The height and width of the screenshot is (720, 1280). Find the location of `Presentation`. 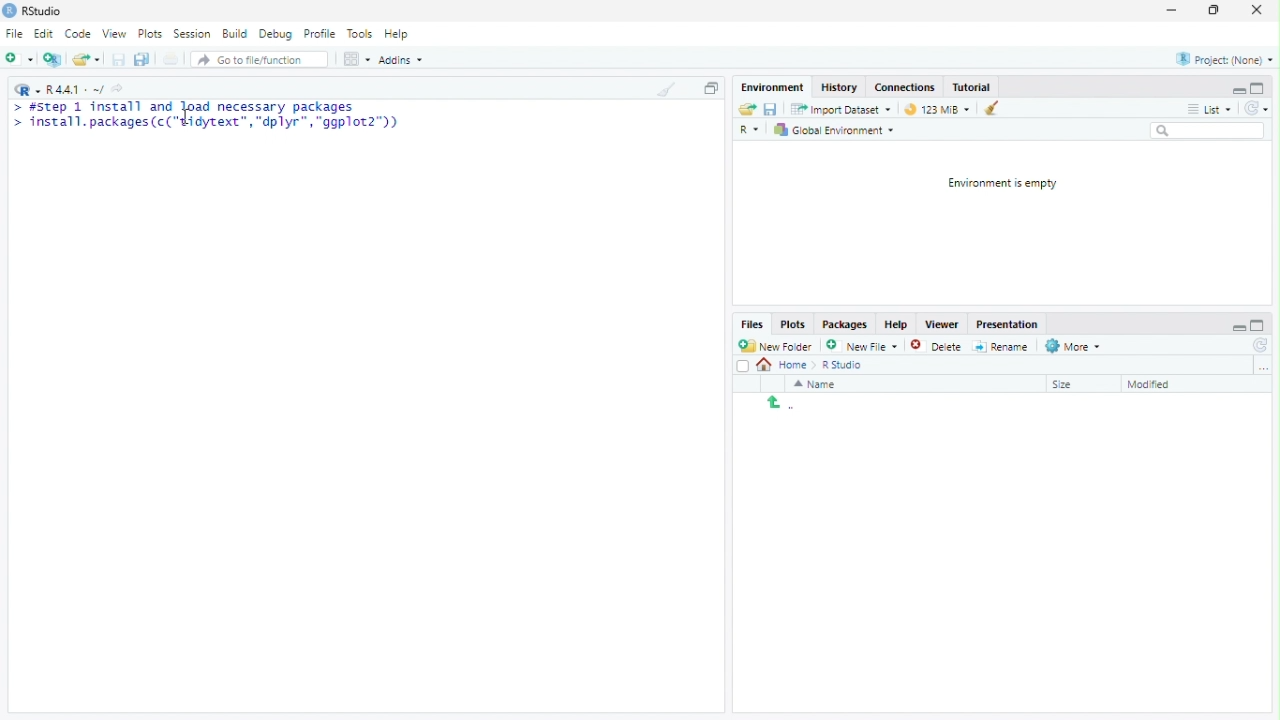

Presentation is located at coordinates (1007, 325).